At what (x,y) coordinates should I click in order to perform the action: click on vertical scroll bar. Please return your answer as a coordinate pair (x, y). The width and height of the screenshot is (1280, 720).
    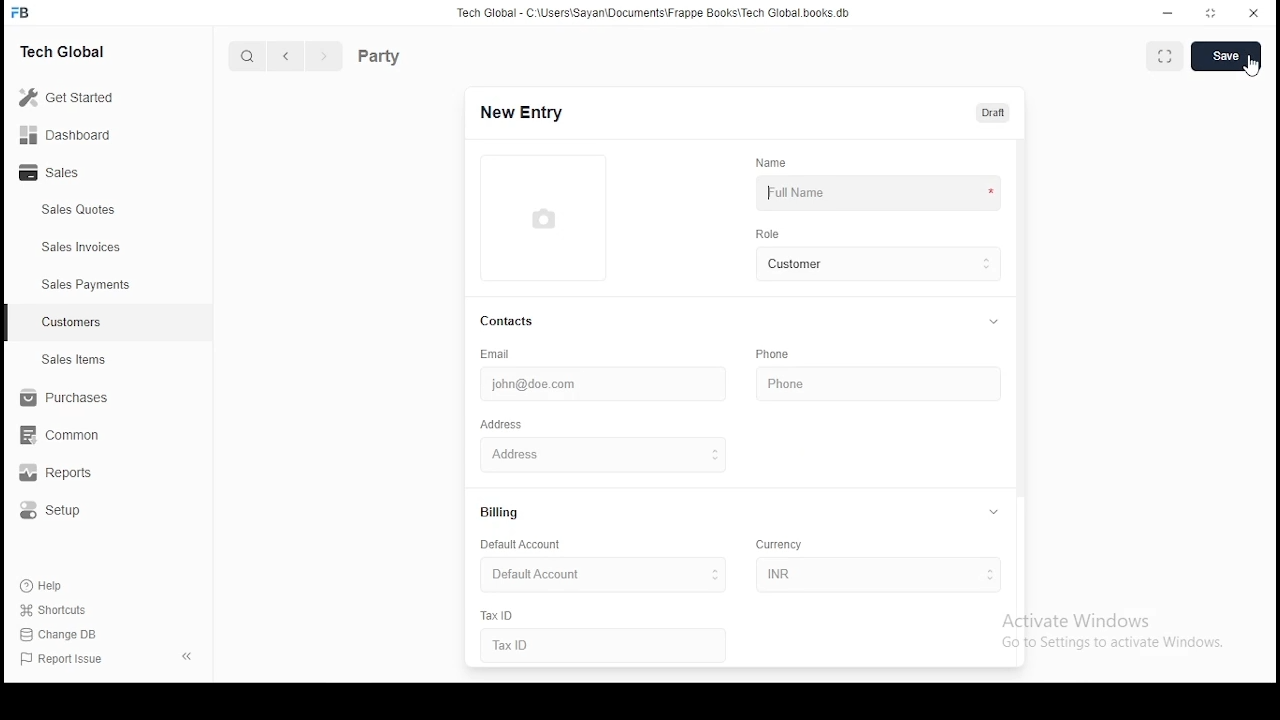
    Looking at the image, I should click on (1024, 321).